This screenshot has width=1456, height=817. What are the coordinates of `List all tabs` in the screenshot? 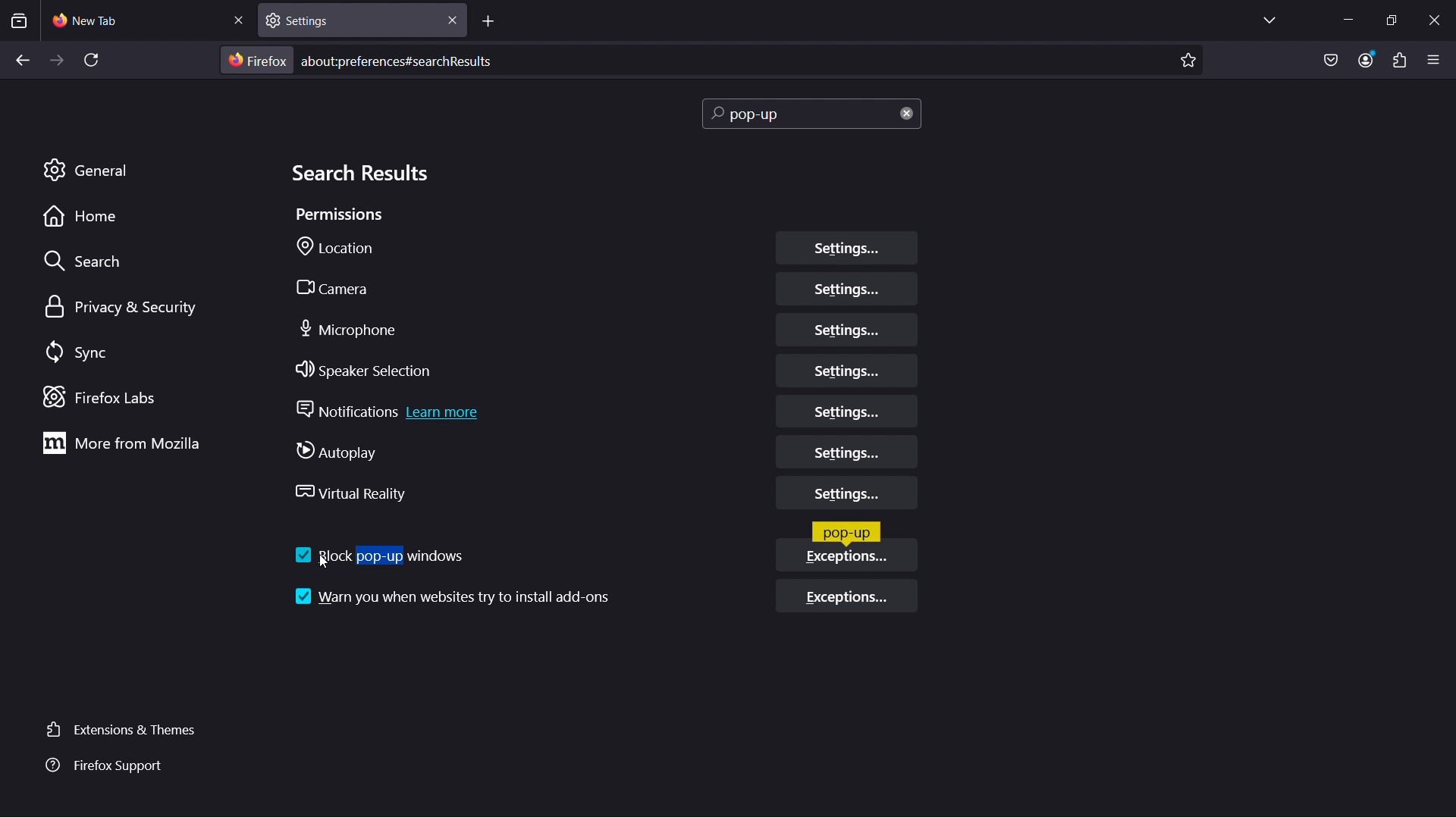 It's located at (1264, 20).